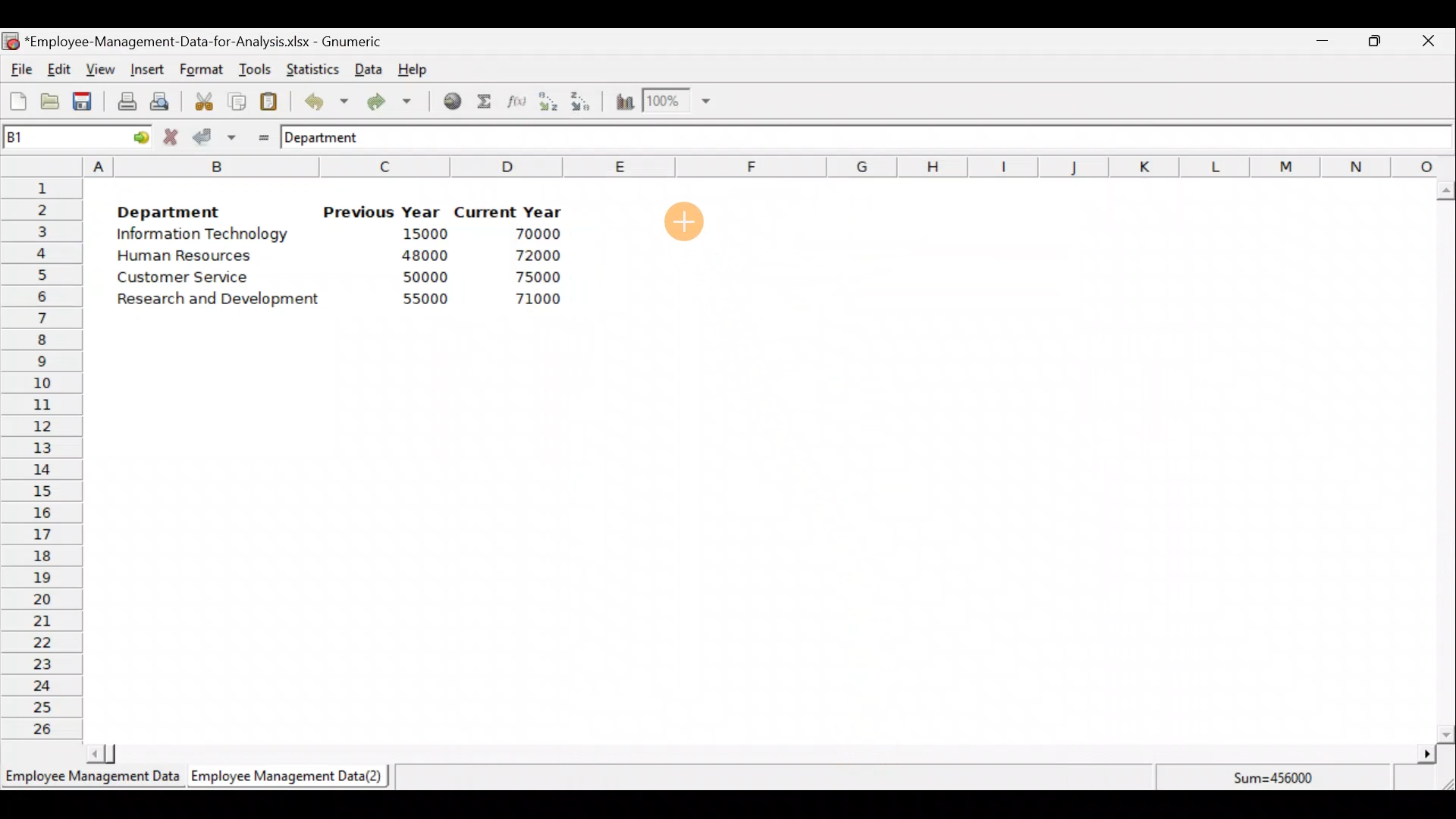  What do you see at coordinates (290, 777) in the screenshot?
I see `Employee Management Data (2)` at bounding box center [290, 777].